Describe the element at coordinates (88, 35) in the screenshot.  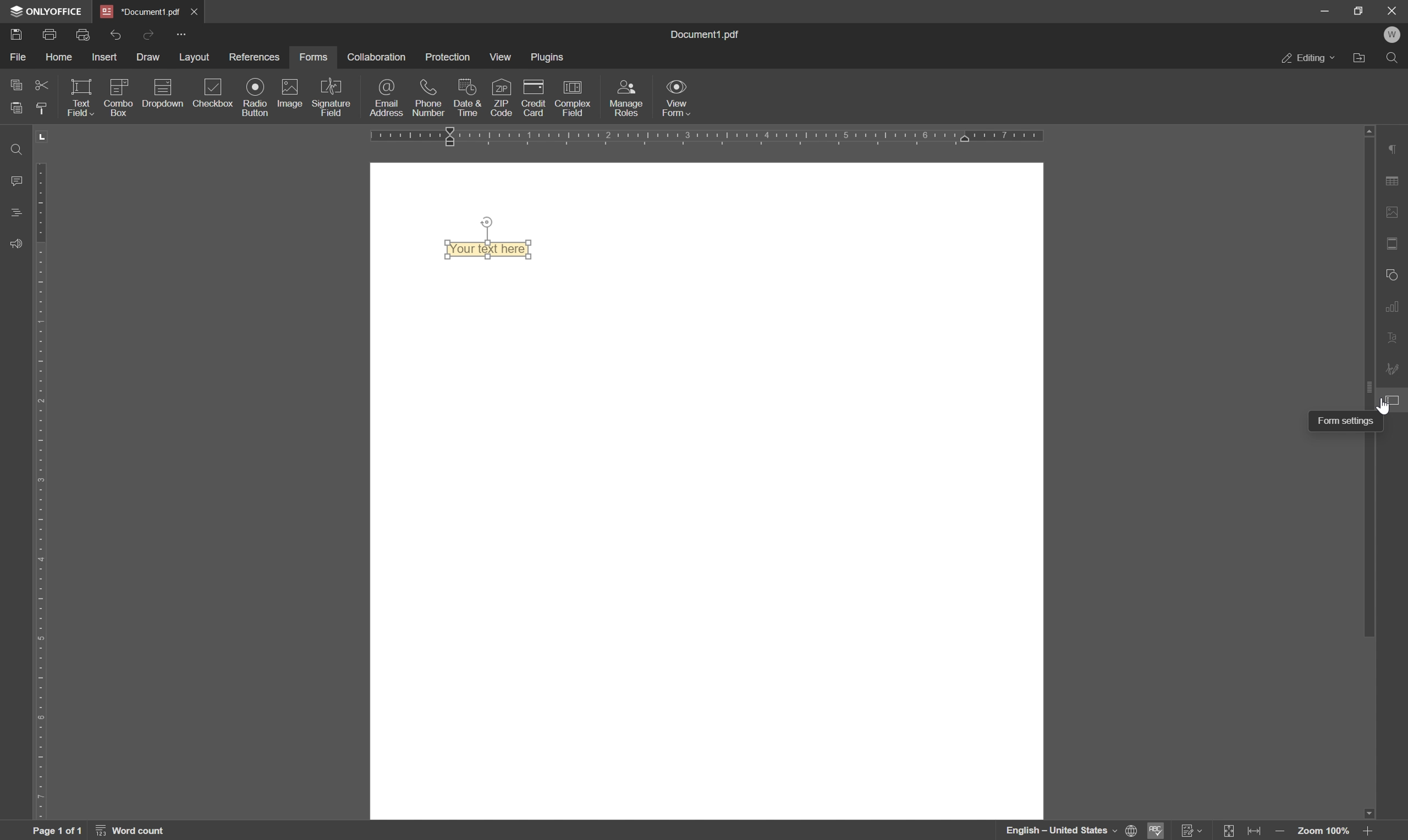
I see `quick print` at that location.